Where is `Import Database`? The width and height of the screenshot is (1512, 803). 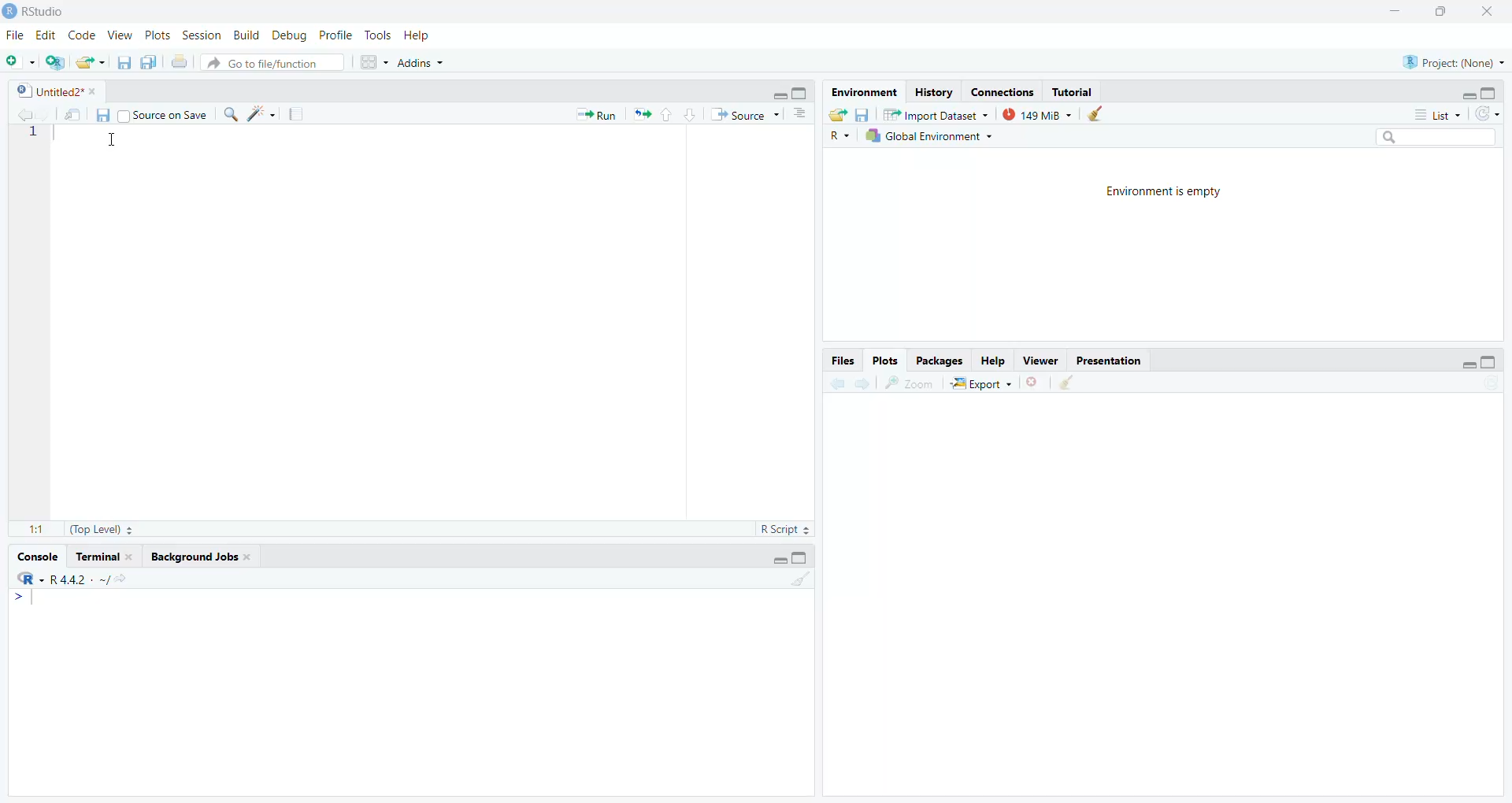
Import Database is located at coordinates (936, 116).